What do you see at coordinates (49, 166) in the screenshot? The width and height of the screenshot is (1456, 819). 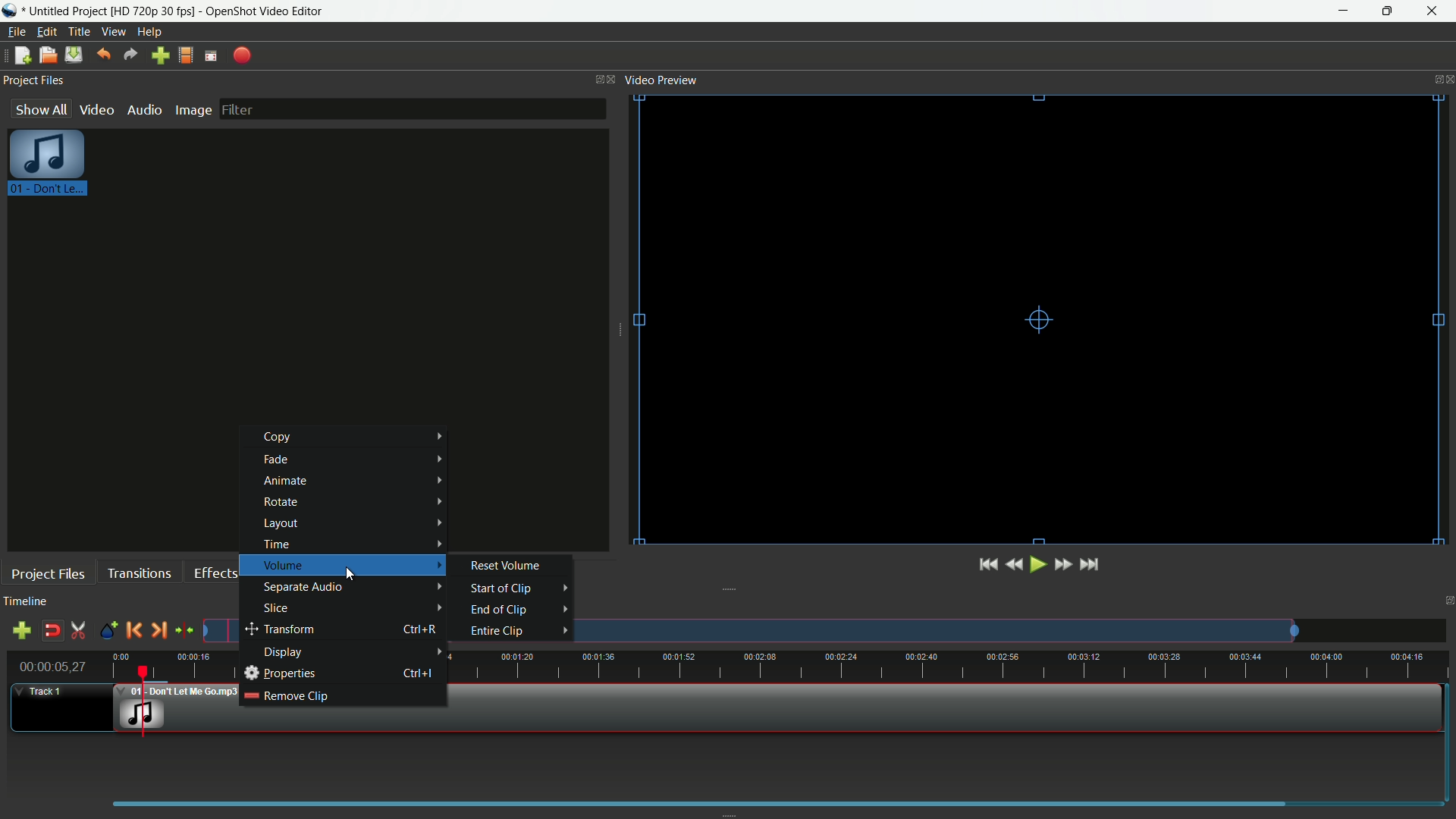 I see `project file` at bounding box center [49, 166].